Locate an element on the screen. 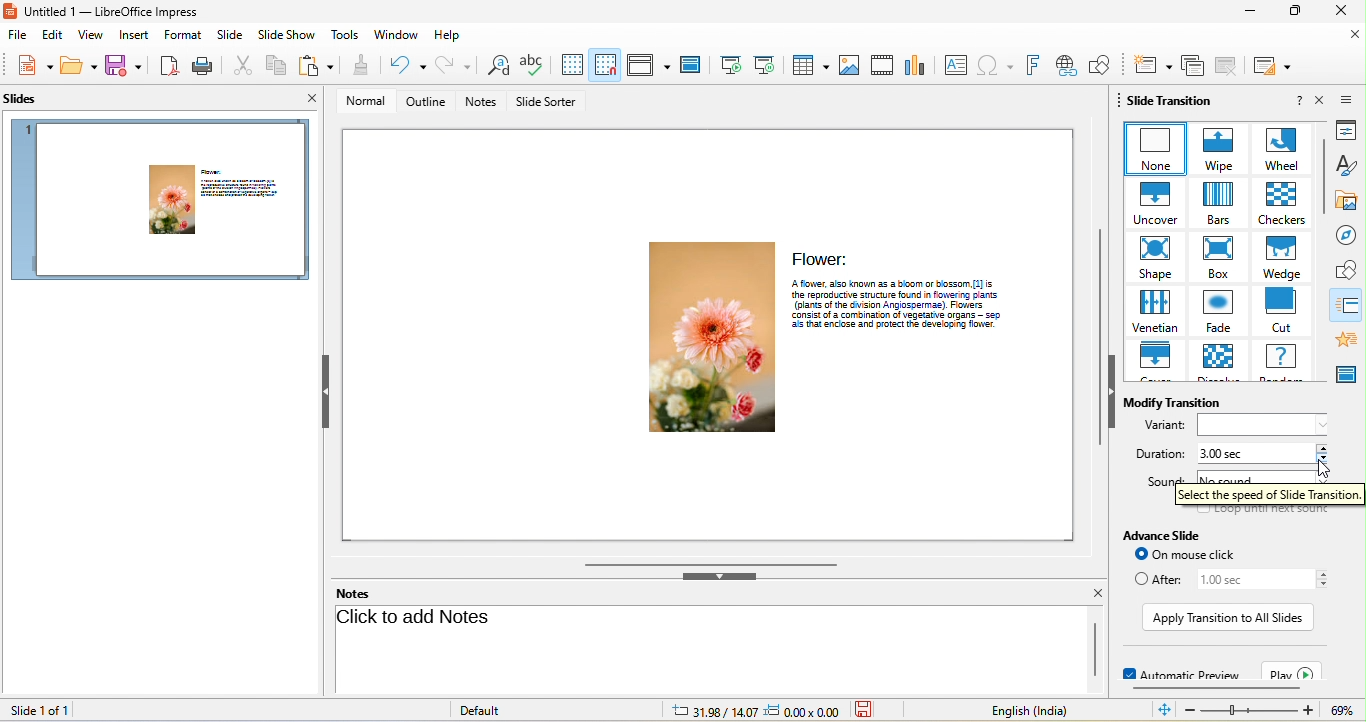 The image size is (1366, 722). redo is located at coordinates (455, 66).